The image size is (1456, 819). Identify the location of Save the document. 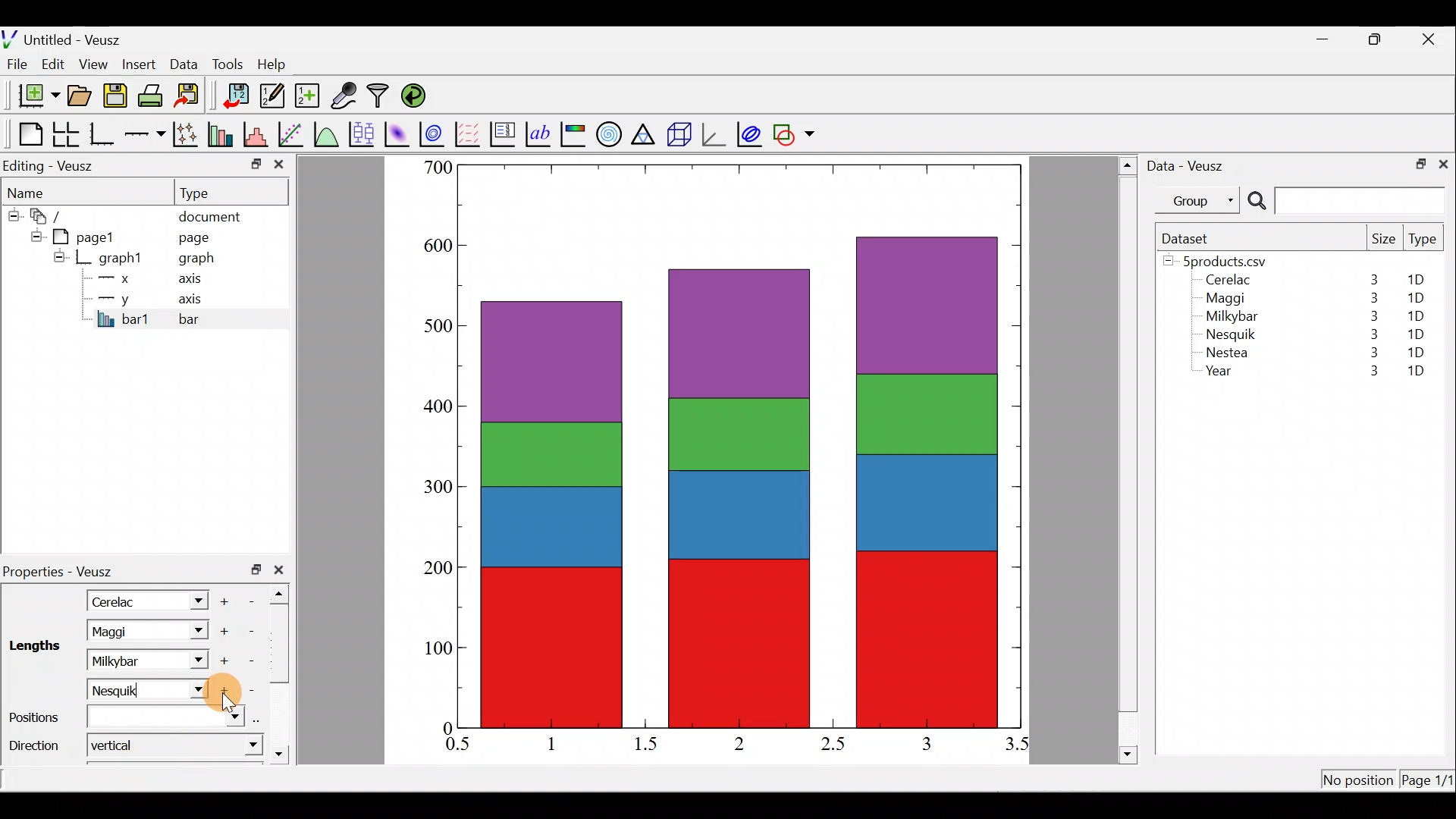
(117, 99).